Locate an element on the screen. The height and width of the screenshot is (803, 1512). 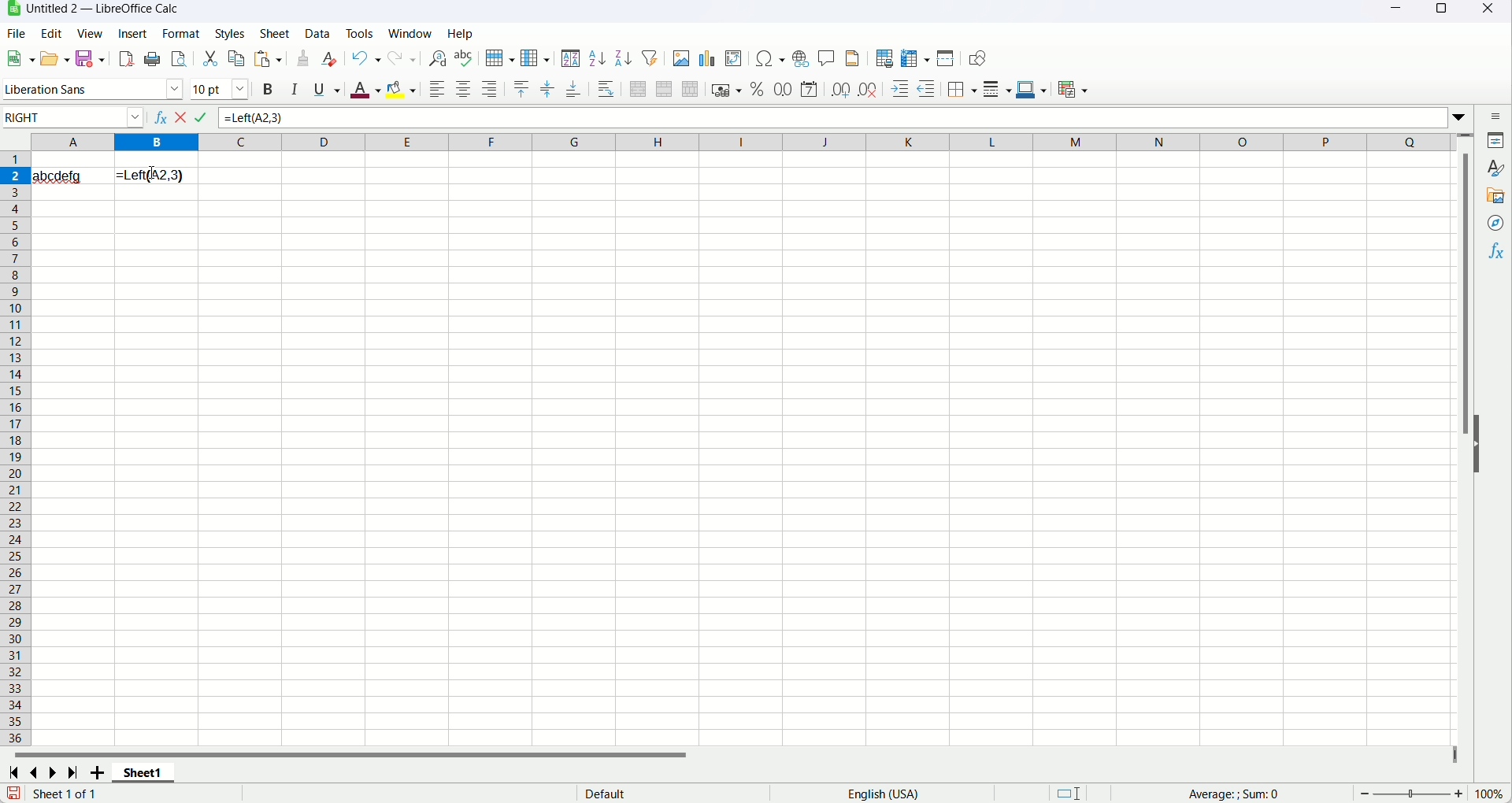
format as currency is located at coordinates (726, 90).